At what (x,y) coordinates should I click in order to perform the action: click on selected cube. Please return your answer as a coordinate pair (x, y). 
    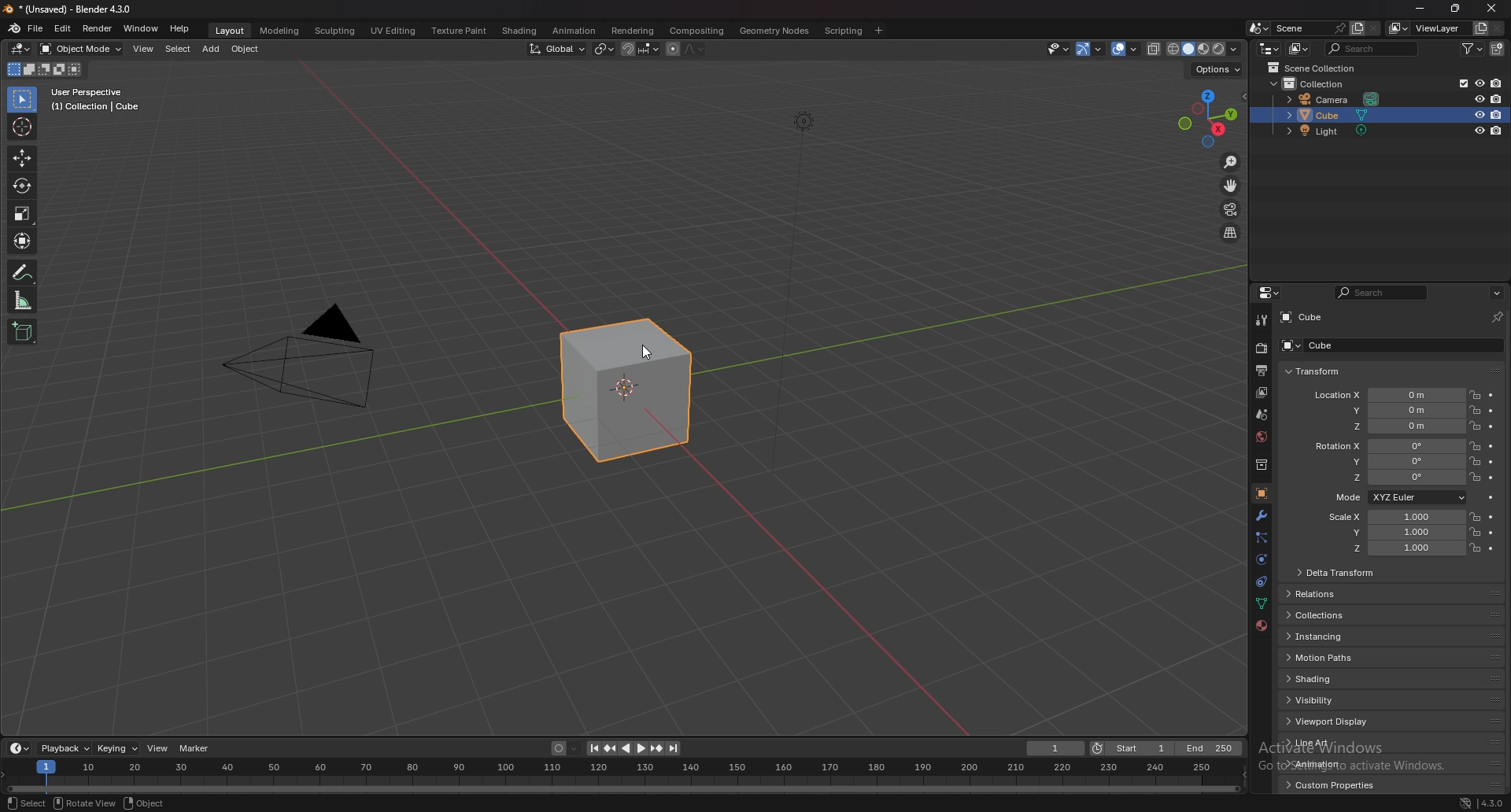
    Looking at the image, I should click on (628, 389).